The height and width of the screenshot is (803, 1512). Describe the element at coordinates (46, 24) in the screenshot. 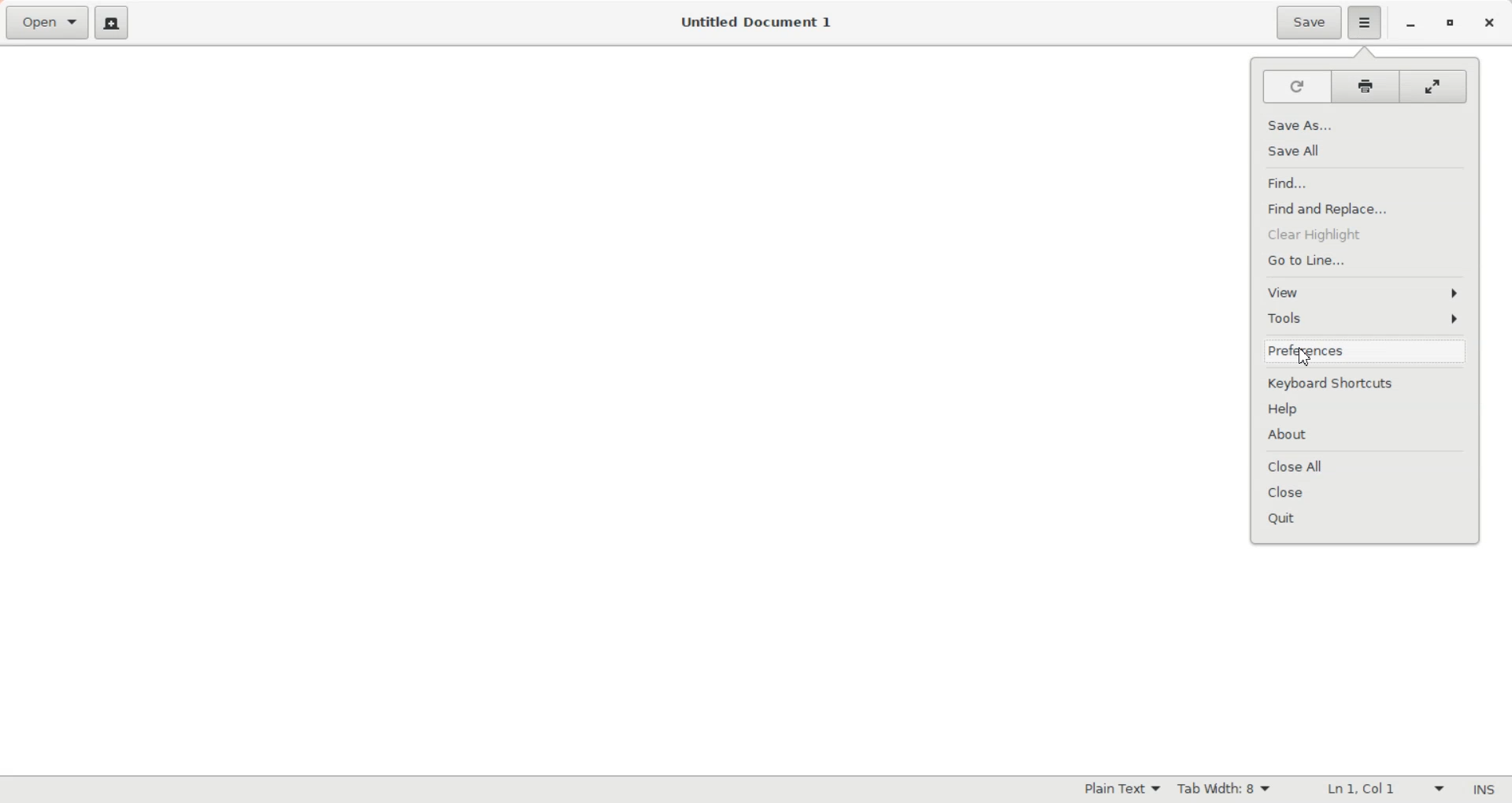

I see `Open file` at that location.